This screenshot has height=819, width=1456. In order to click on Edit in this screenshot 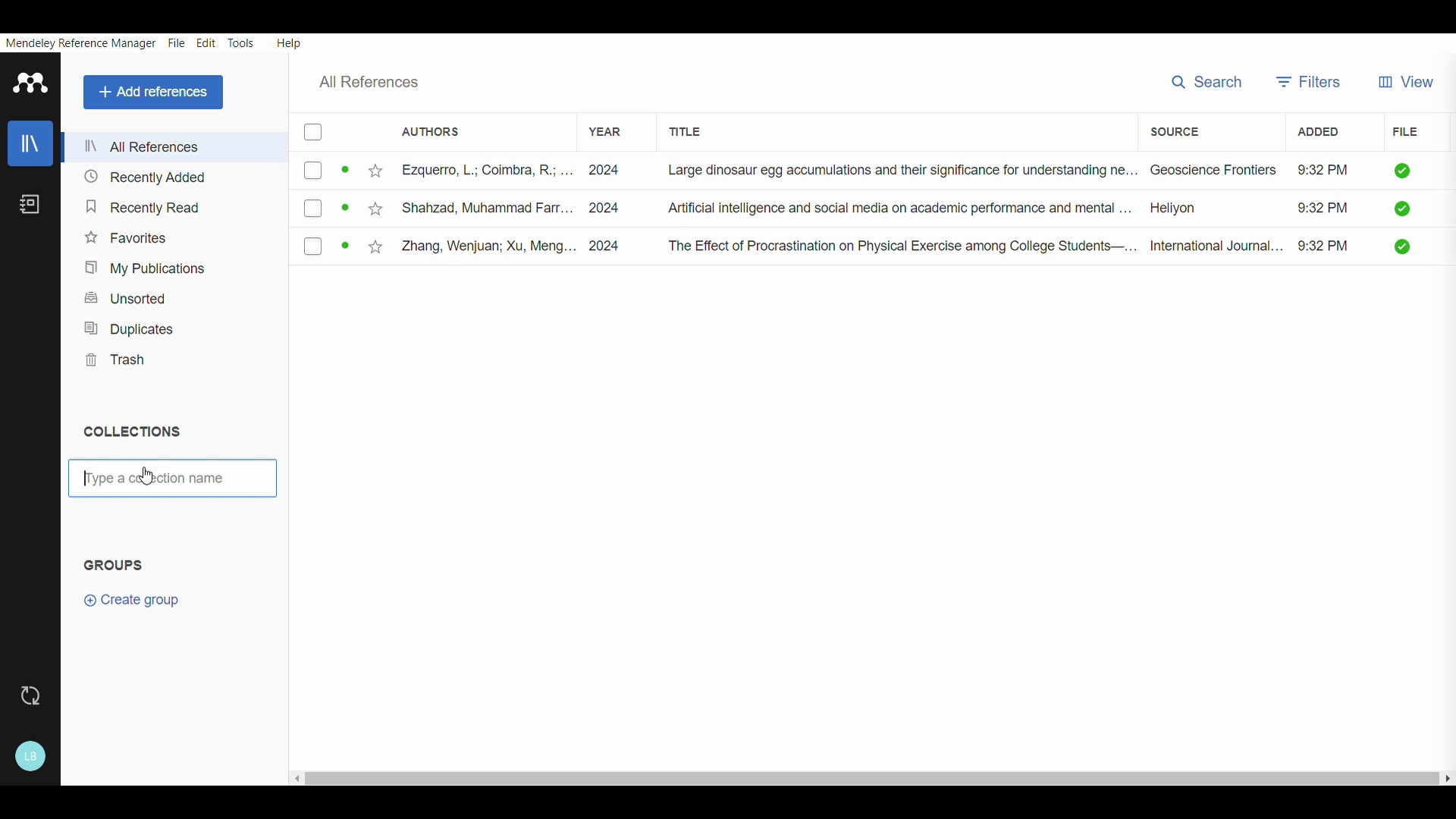, I will do `click(205, 42)`.